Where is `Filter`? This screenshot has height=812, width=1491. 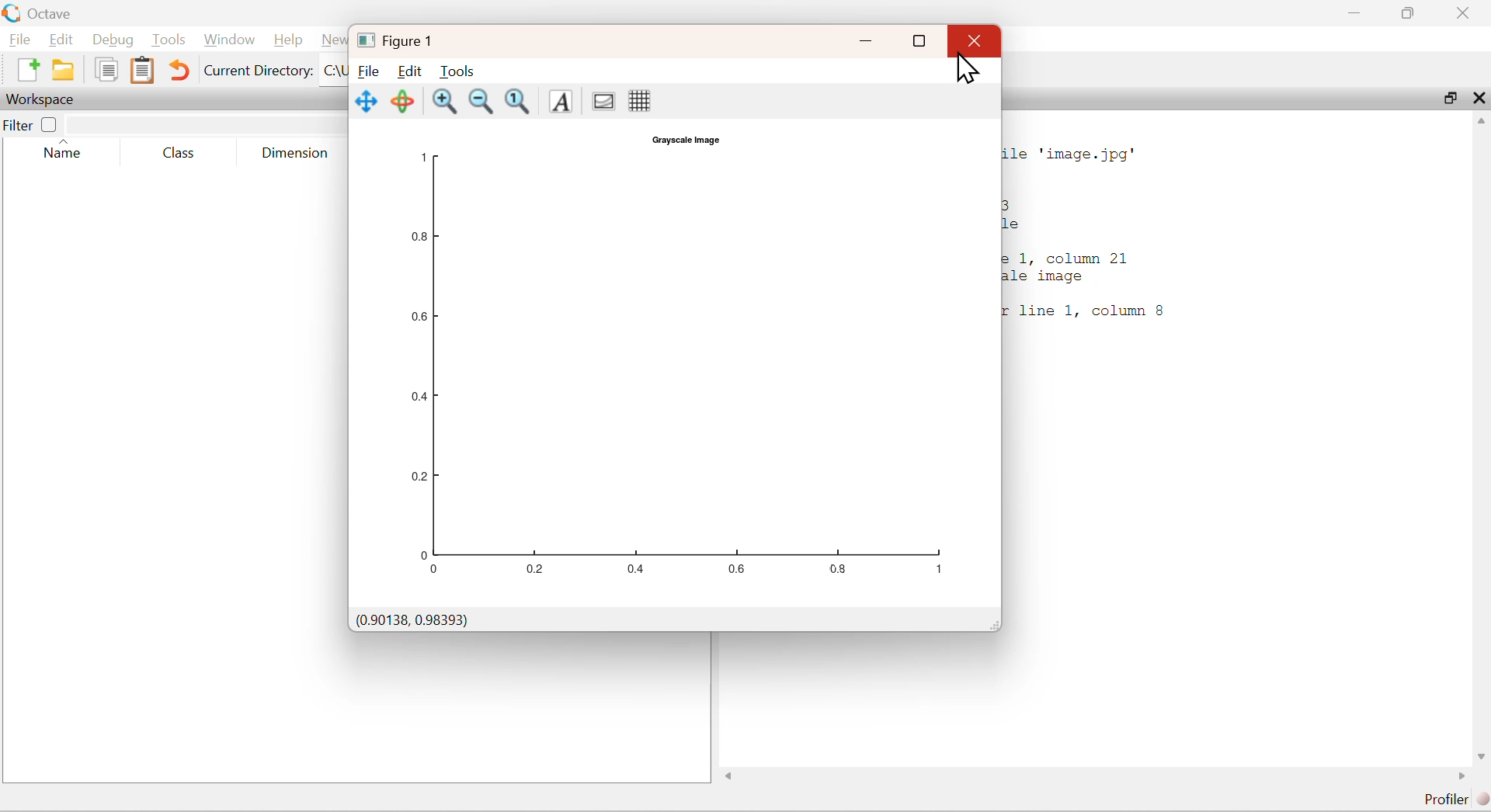 Filter is located at coordinates (18, 125).